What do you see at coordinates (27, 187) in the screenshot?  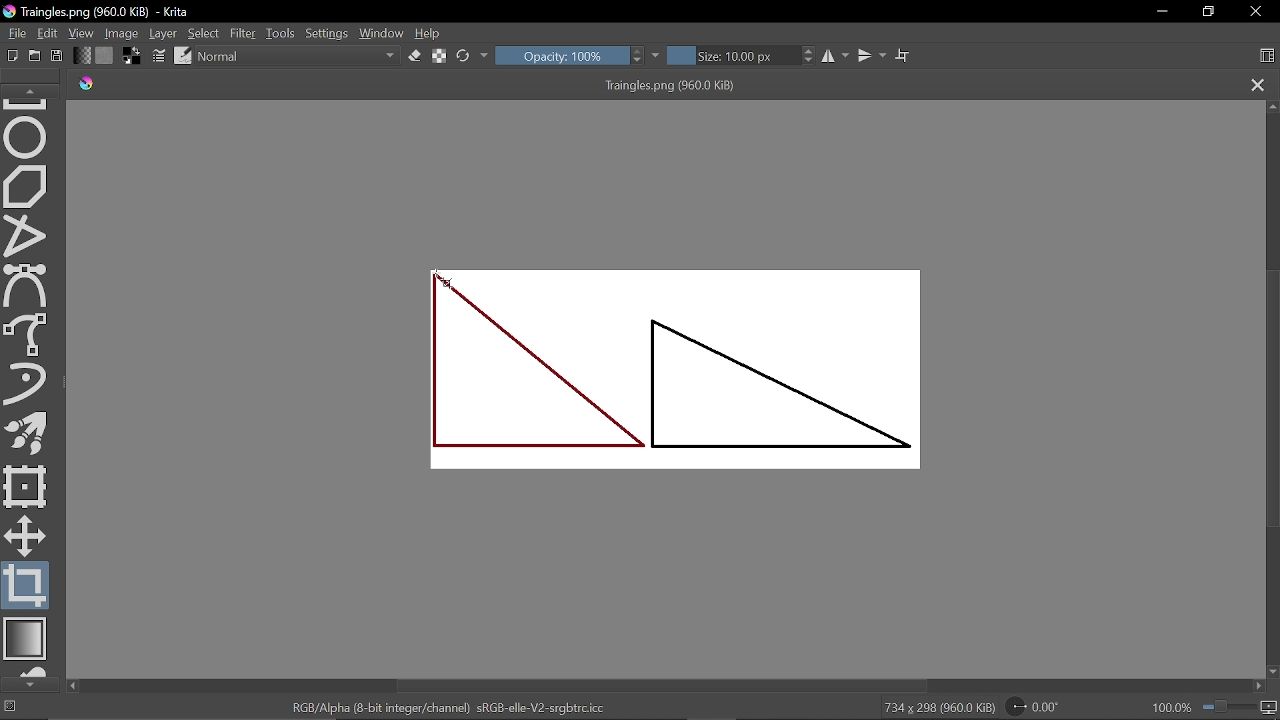 I see `Polygon tool` at bounding box center [27, 187].